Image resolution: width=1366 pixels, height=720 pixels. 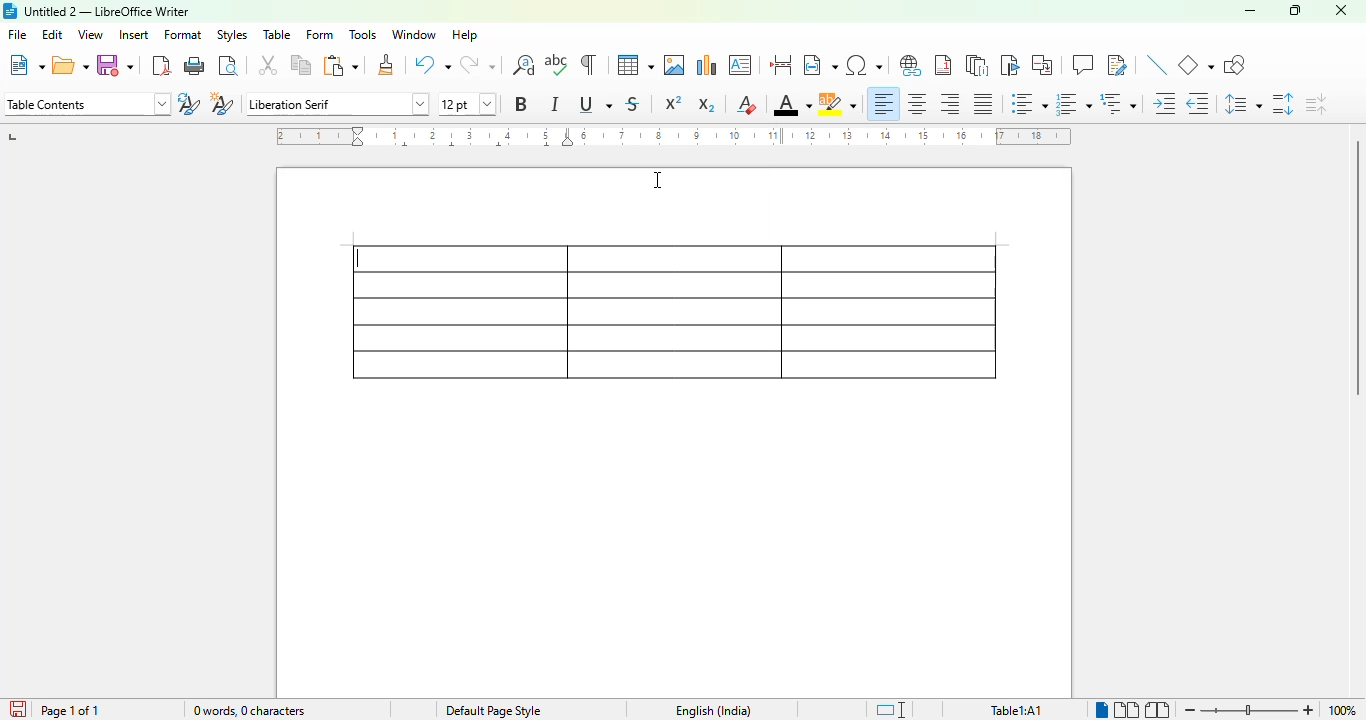 What do you see at coordinates (1197, 65) in the screenshot?
I see `basic shapes` at bounding box center [1197, 65].